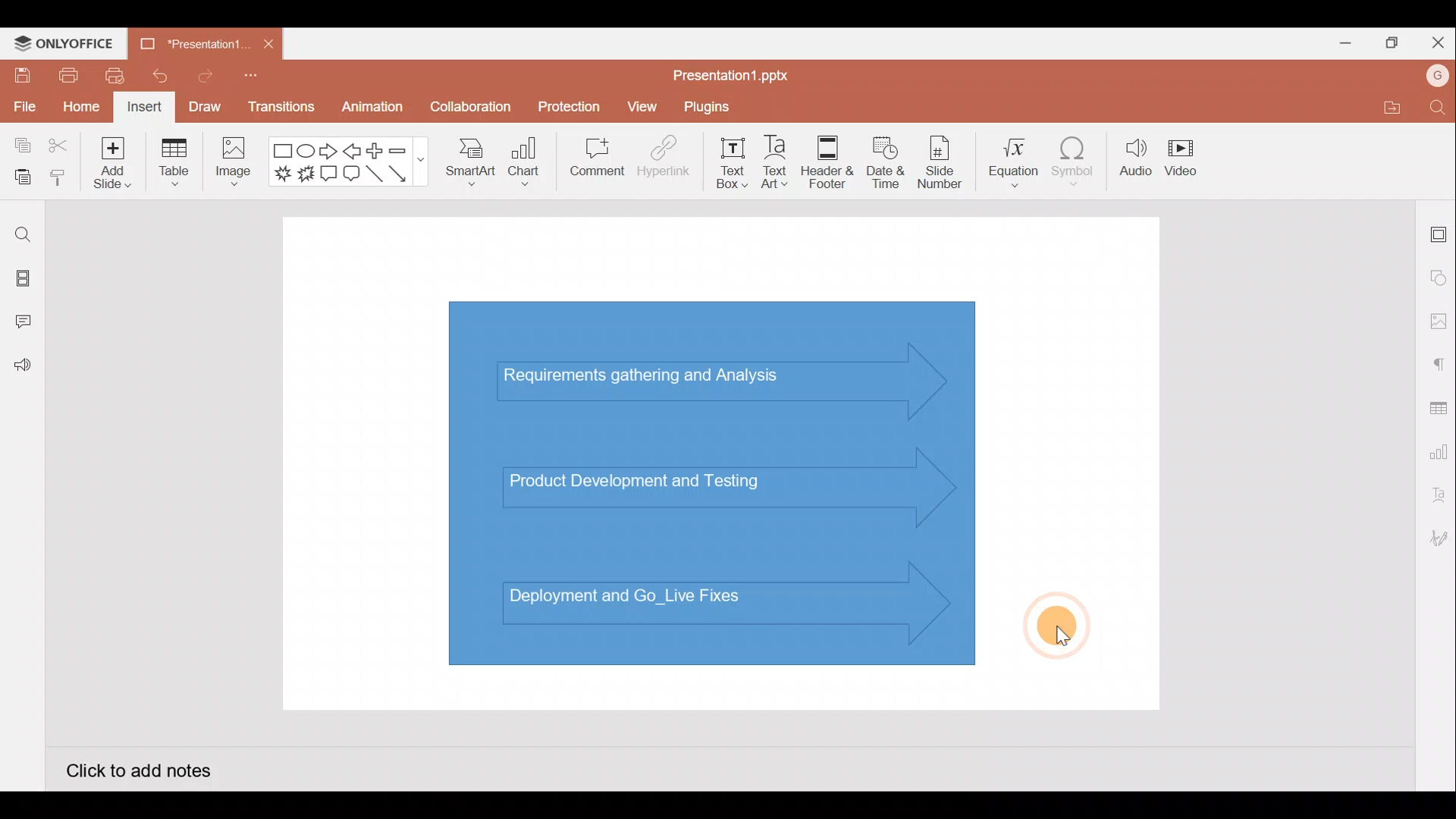 The height and width of the screenshot is (819, 1456). I want to click on Minus, so click(406, 149).